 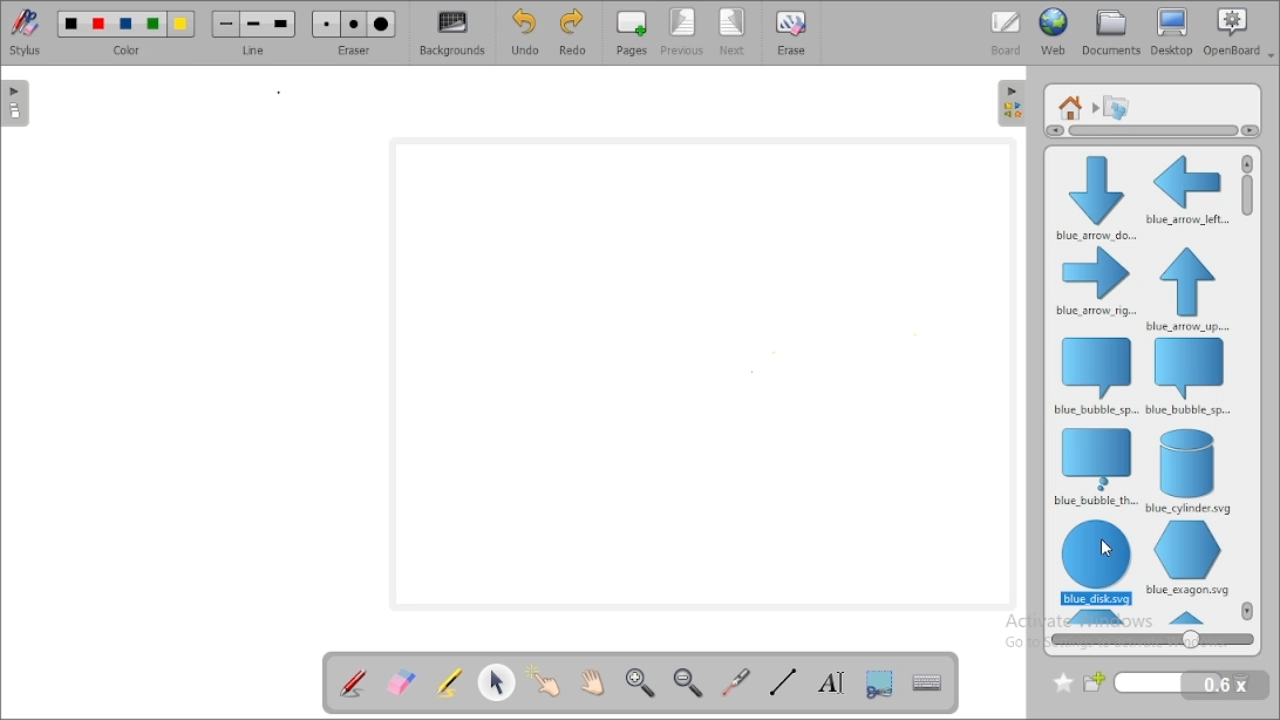 What do you see at coordinates (1187, 558) in the screenshot?
I see `blue exagon` at bounding box center [1187, 558].